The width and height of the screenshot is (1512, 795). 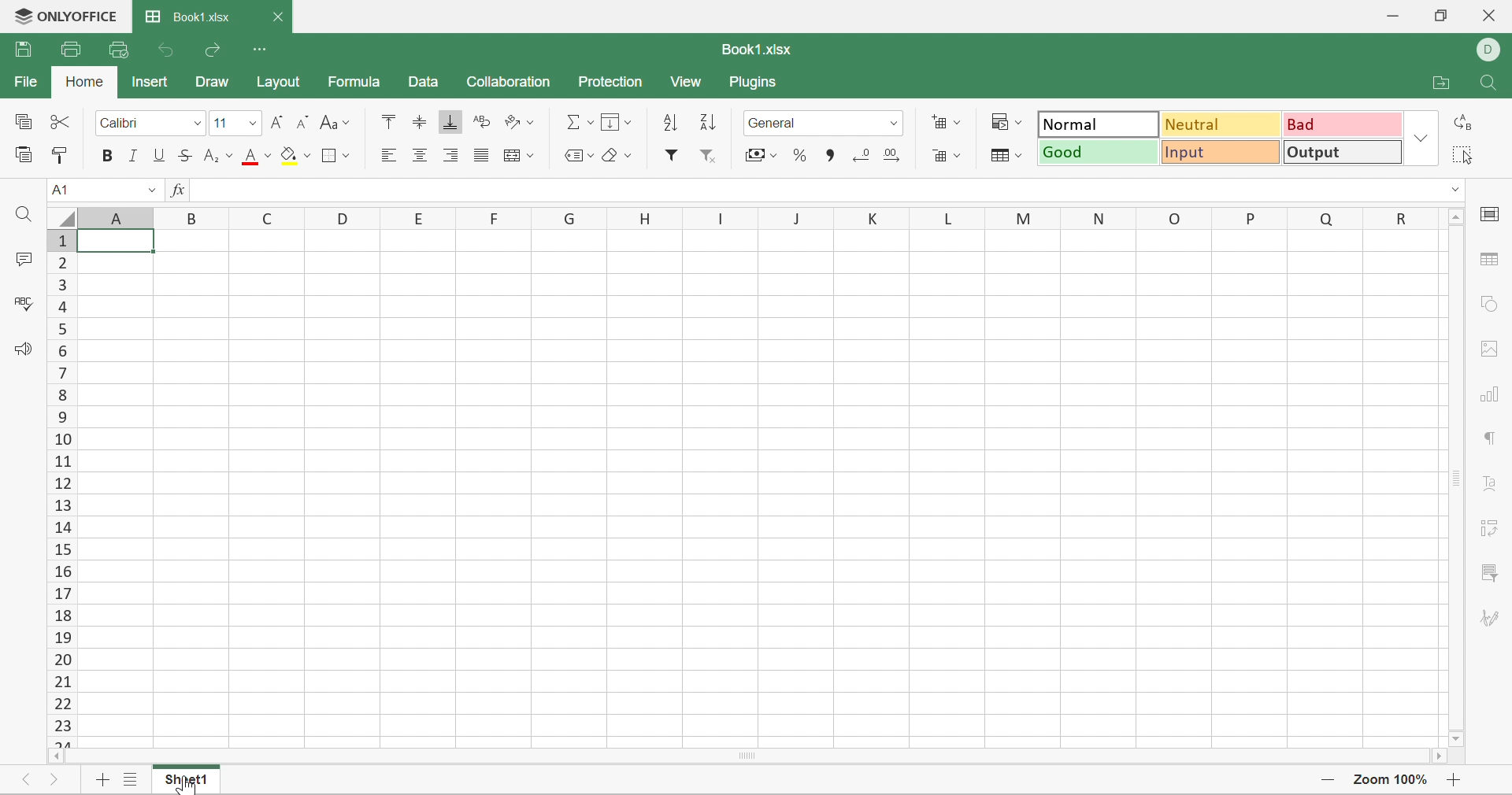 What do you see at coordinates (1456, 190) in the screenshot?
I see `Drop down` at bounding box center [1456, 190].